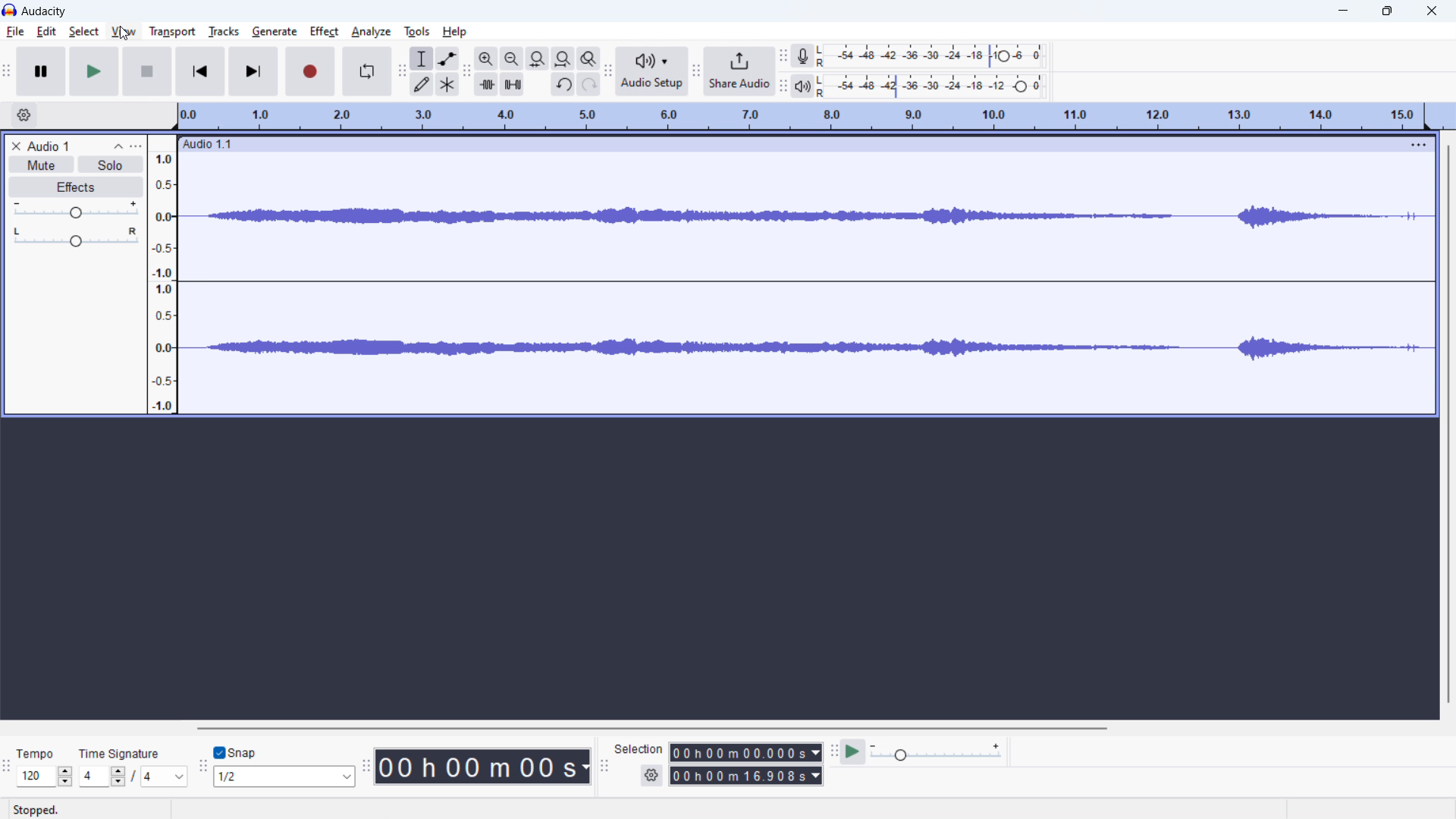 The height and width of the screenshot is (819, 1456). Describe the element at coordinates (366, 71) in the screenshot. I see `enable looping` at that location.